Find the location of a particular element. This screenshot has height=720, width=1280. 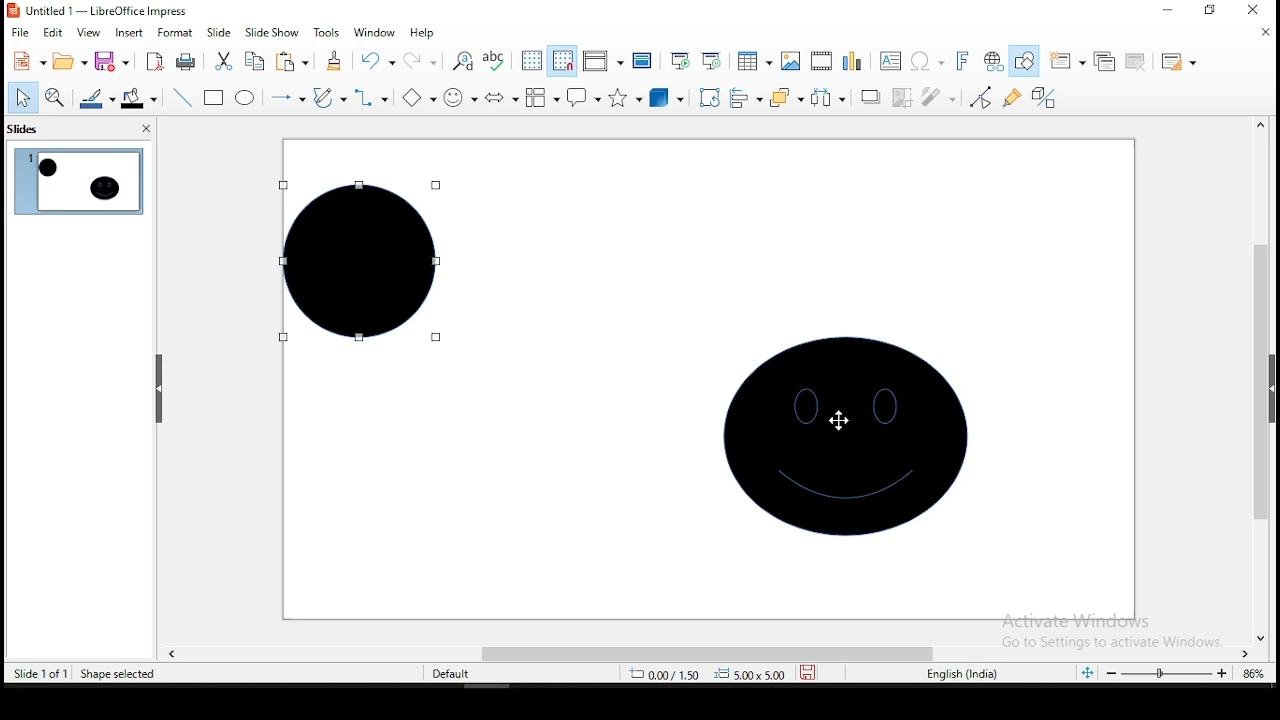

save is located at coordinates (811, 673).